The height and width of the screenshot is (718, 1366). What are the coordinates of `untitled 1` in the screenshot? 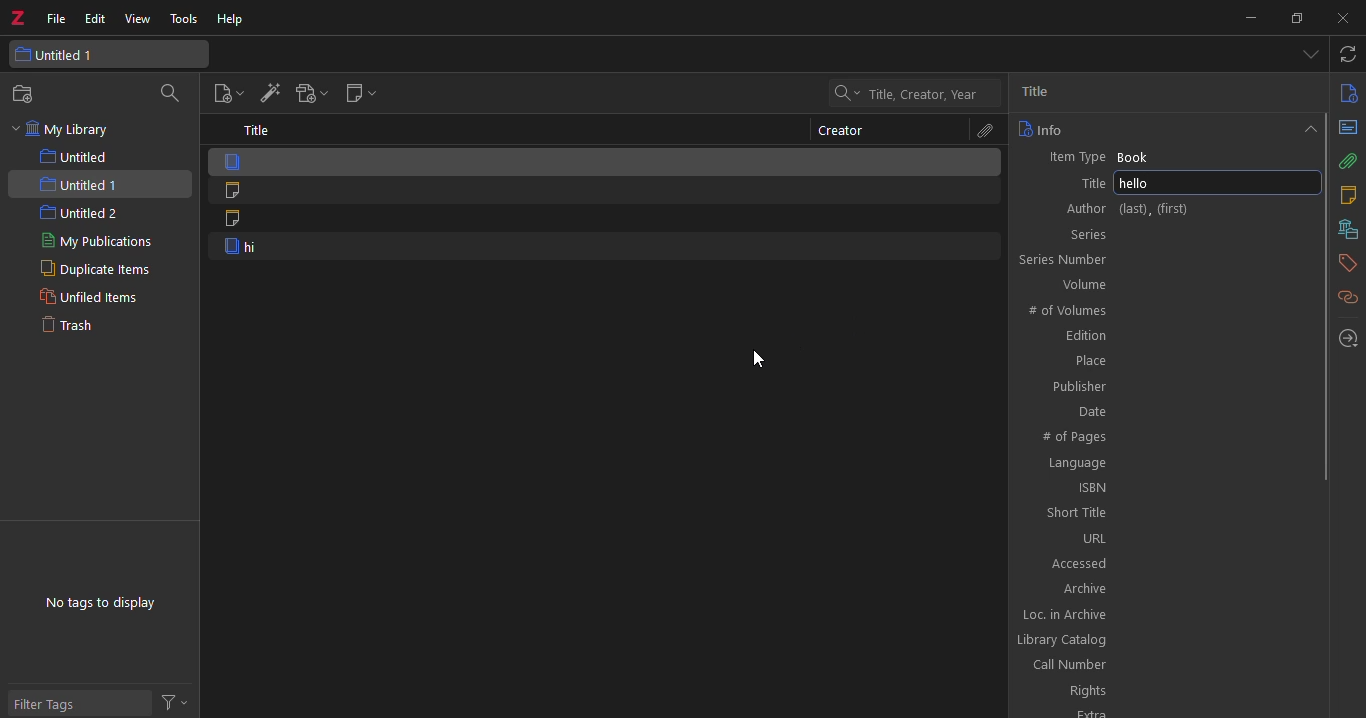 It's located at (109, 55).